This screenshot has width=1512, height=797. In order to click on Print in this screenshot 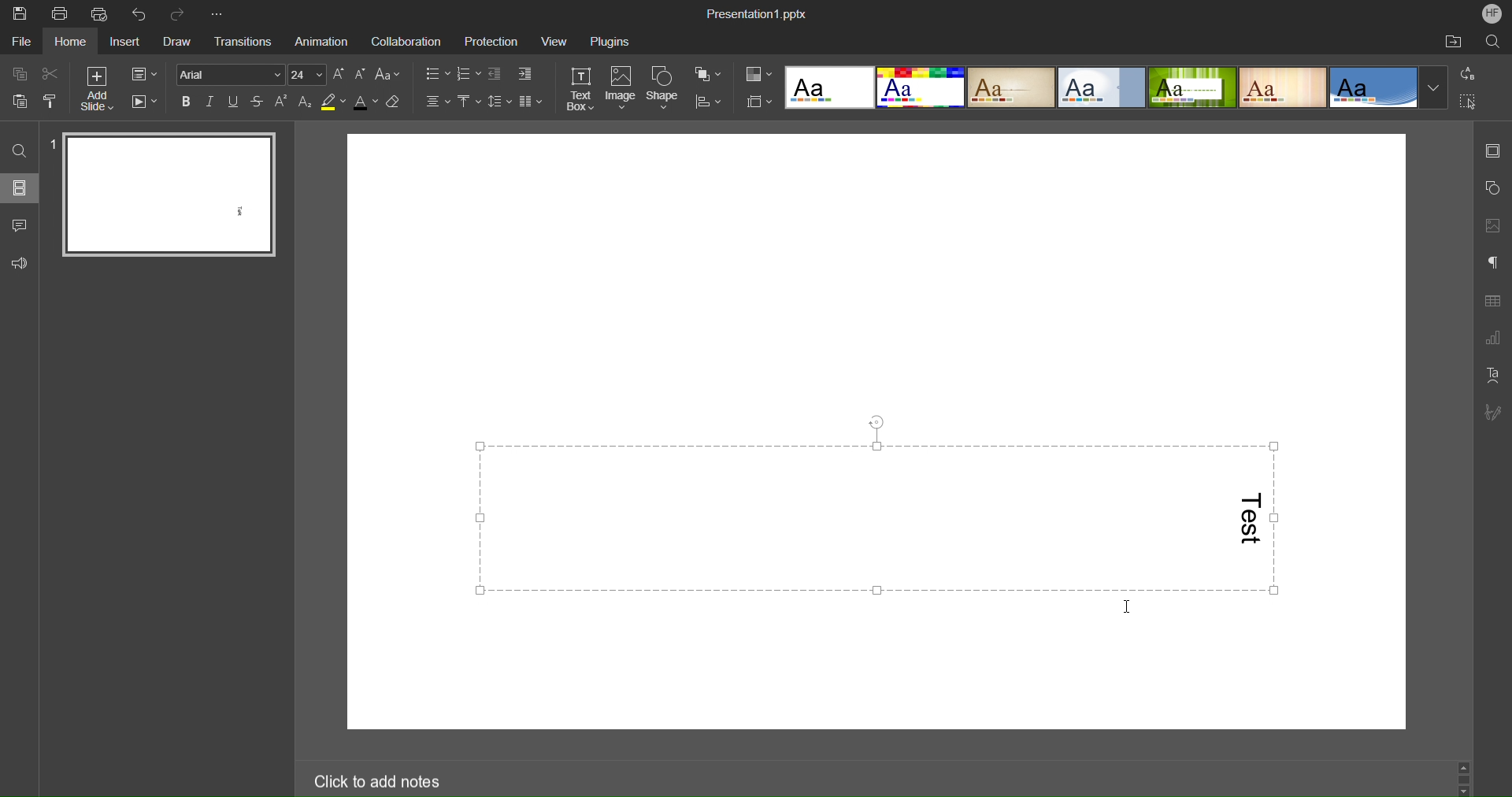, I will do `click(61, 13)`.